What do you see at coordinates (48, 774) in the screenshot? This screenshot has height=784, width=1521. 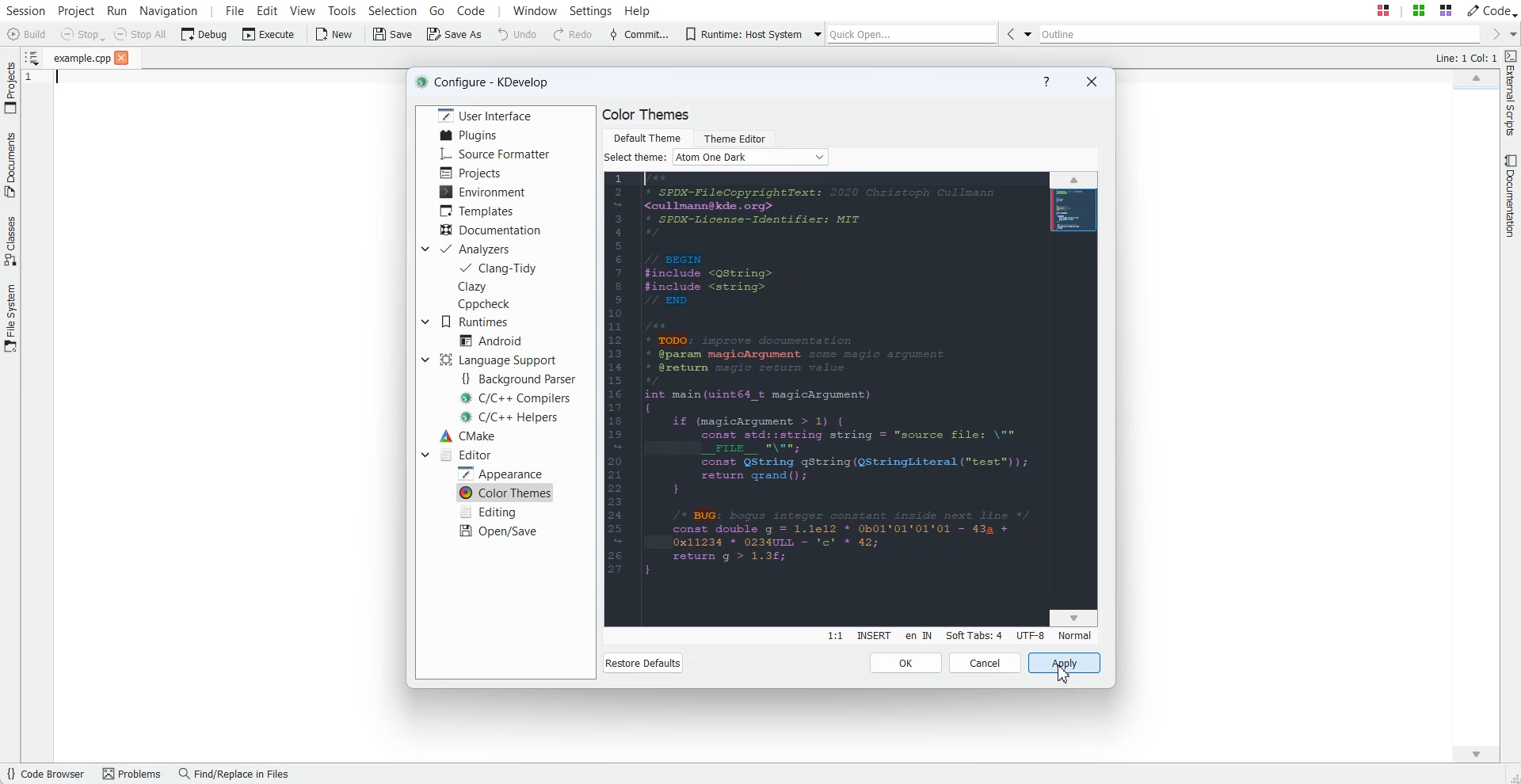 I see `Code Browser` at bounding box center [48, 774].